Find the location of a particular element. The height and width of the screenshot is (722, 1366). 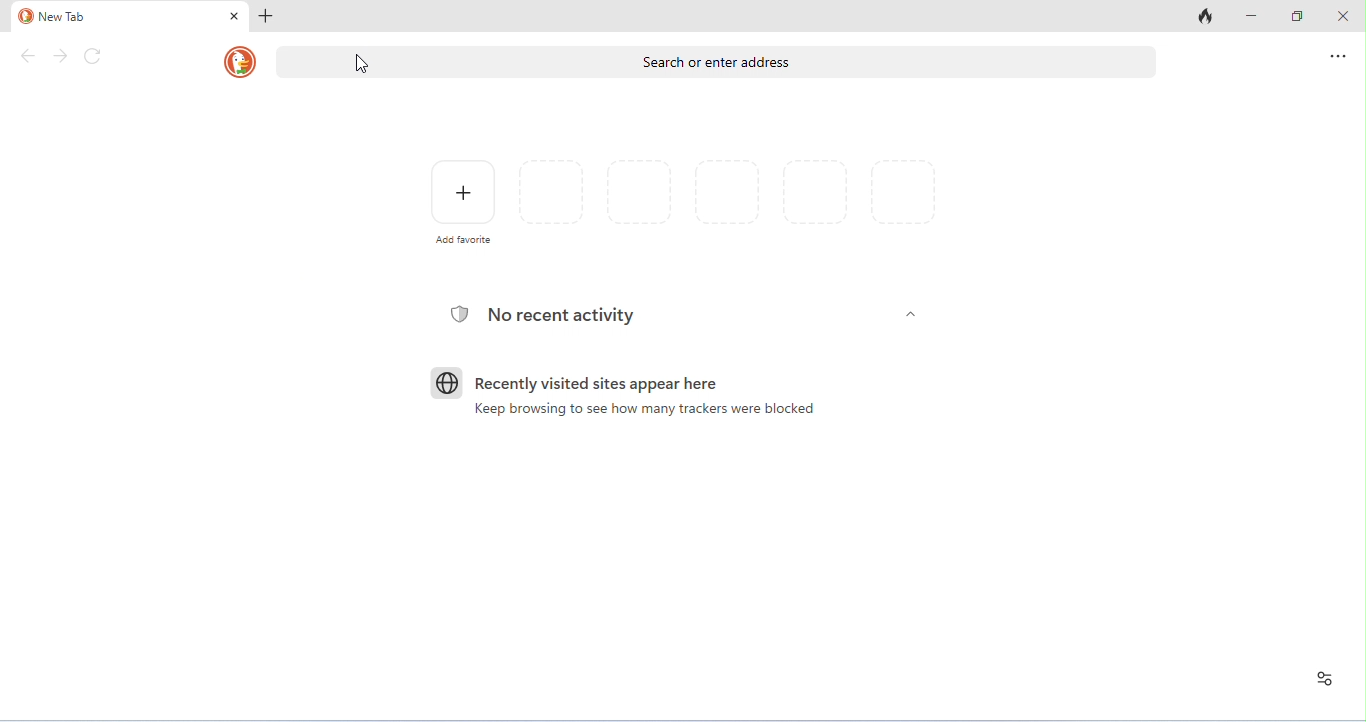

close is located at coordinates (1340, 16).